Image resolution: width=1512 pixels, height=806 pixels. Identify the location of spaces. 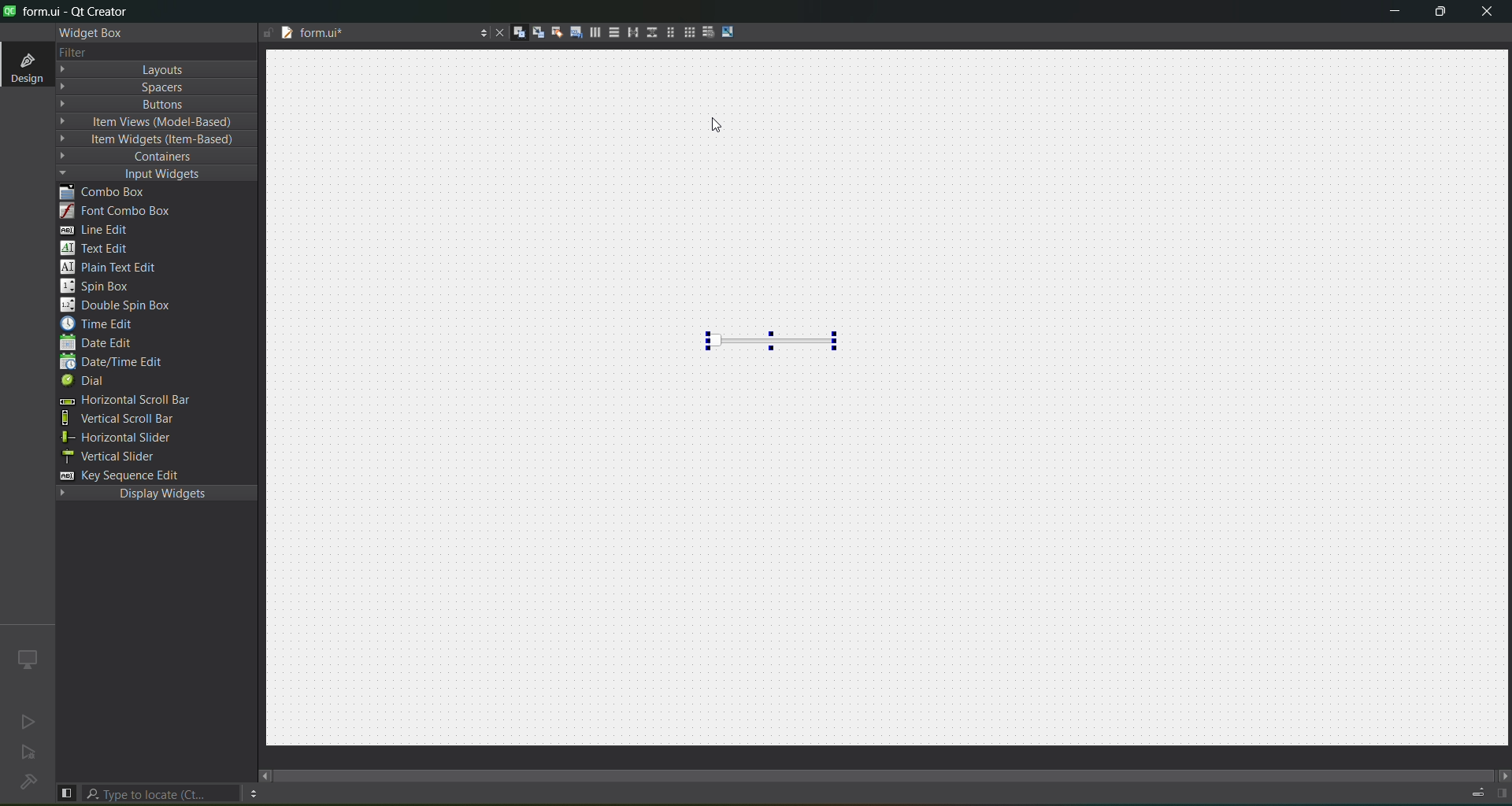
(135, 87).